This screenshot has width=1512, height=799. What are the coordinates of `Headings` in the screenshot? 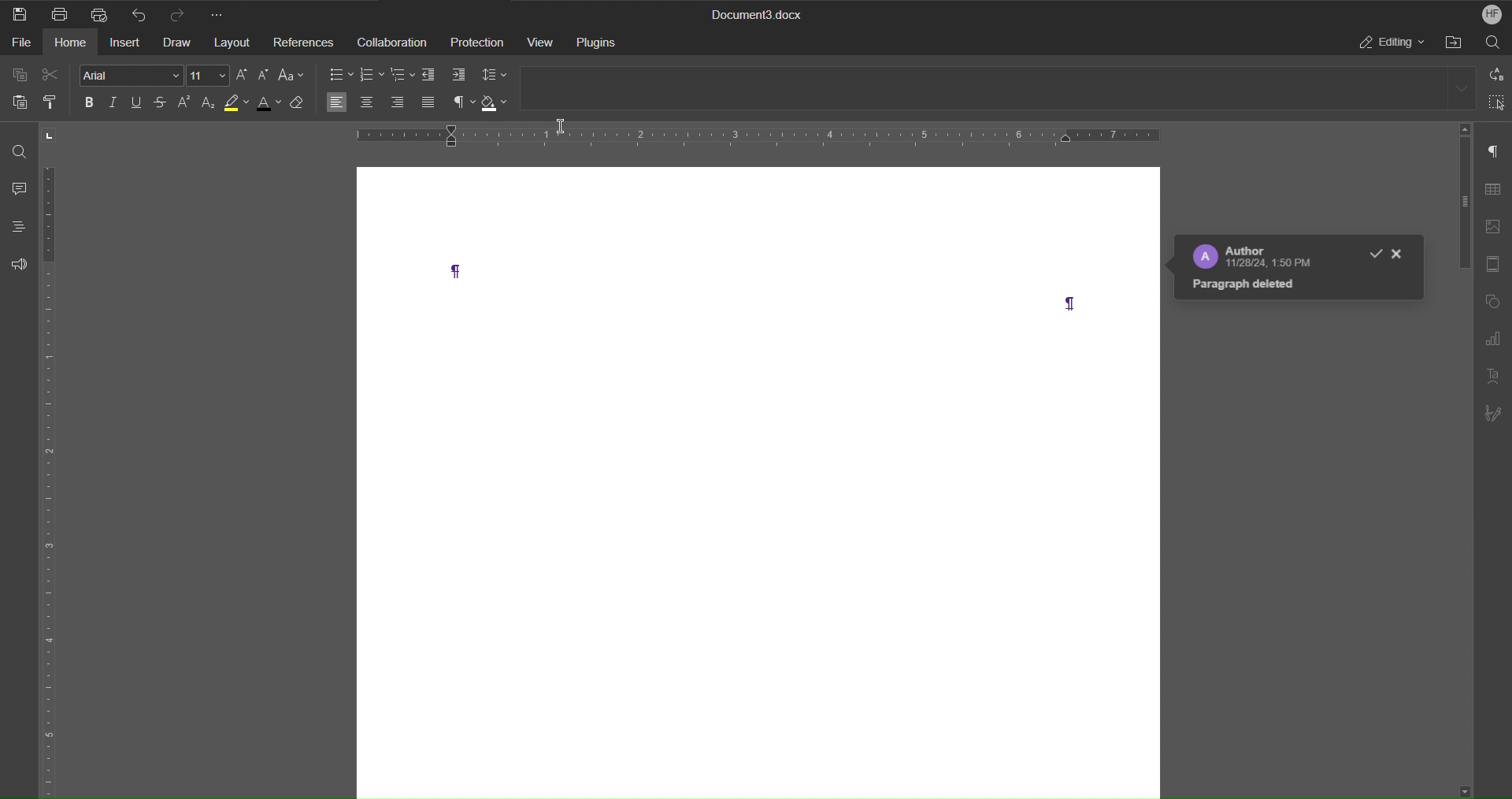 It's located at (18, 226).